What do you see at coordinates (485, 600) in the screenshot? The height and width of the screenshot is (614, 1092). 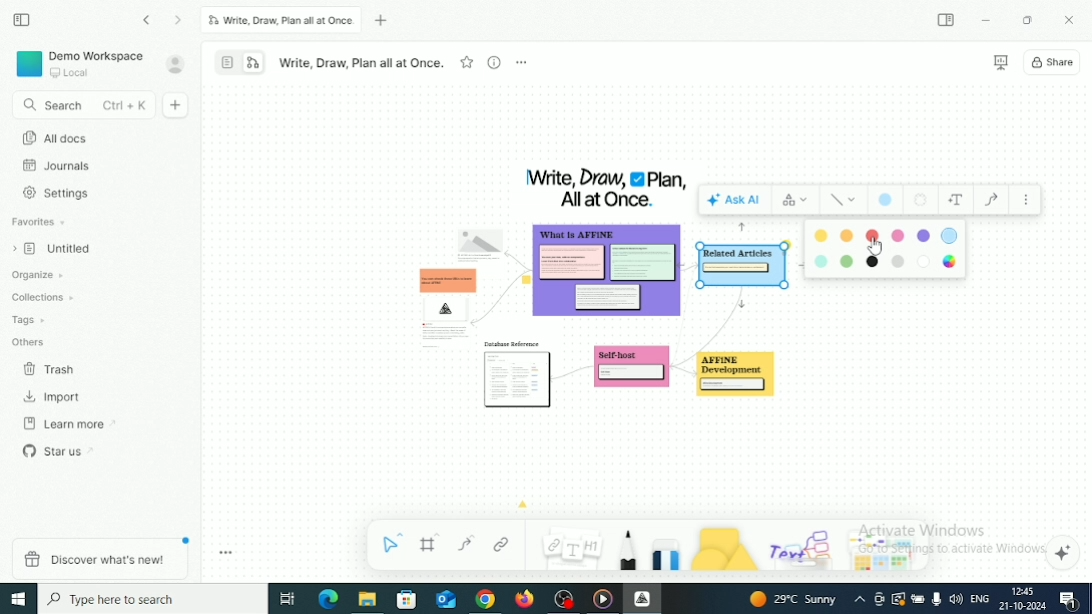 I see `Google Chrome` at bounding box center [485, 600].